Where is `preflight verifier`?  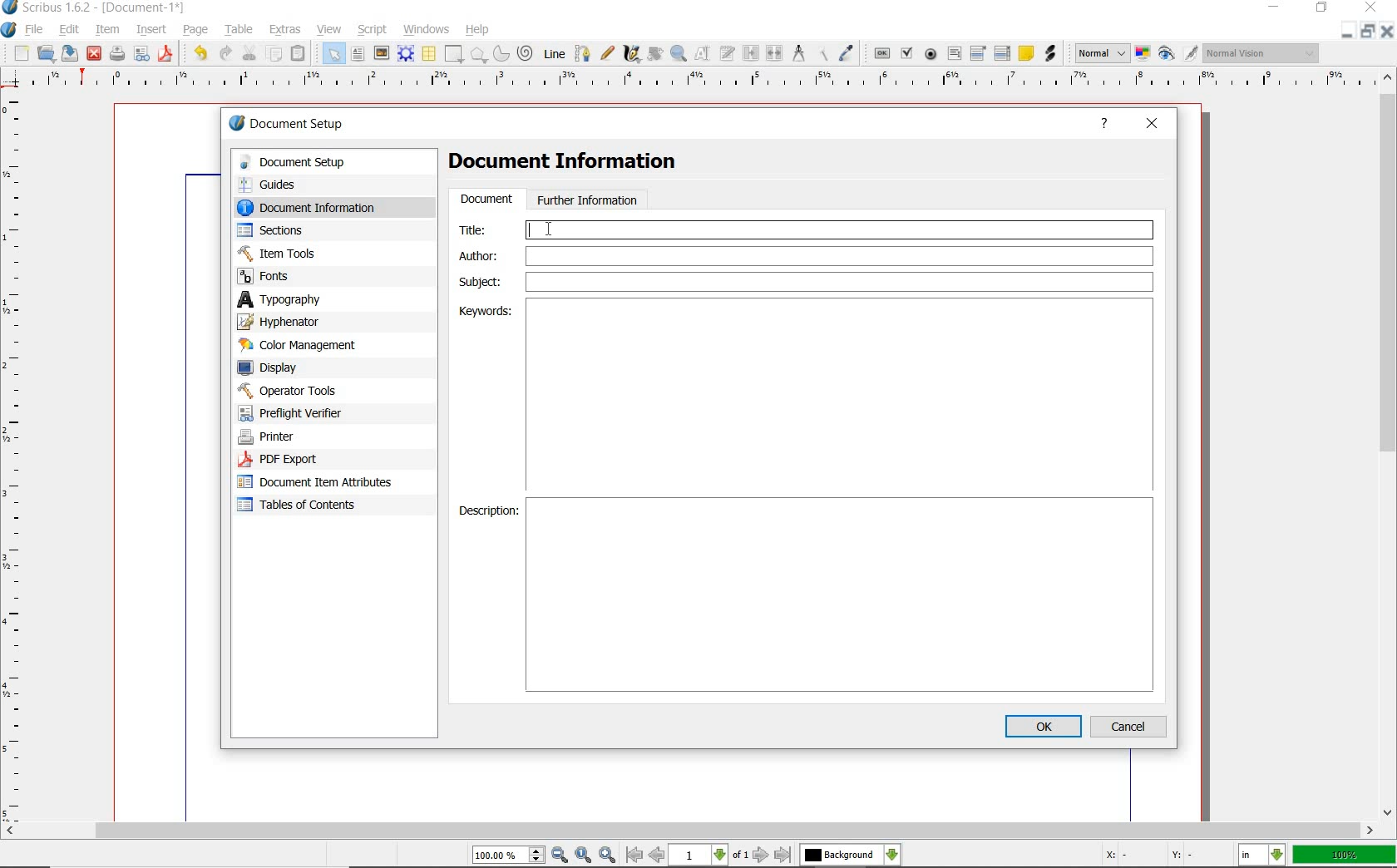
preflight verifier is located at coordinates (300, 413).